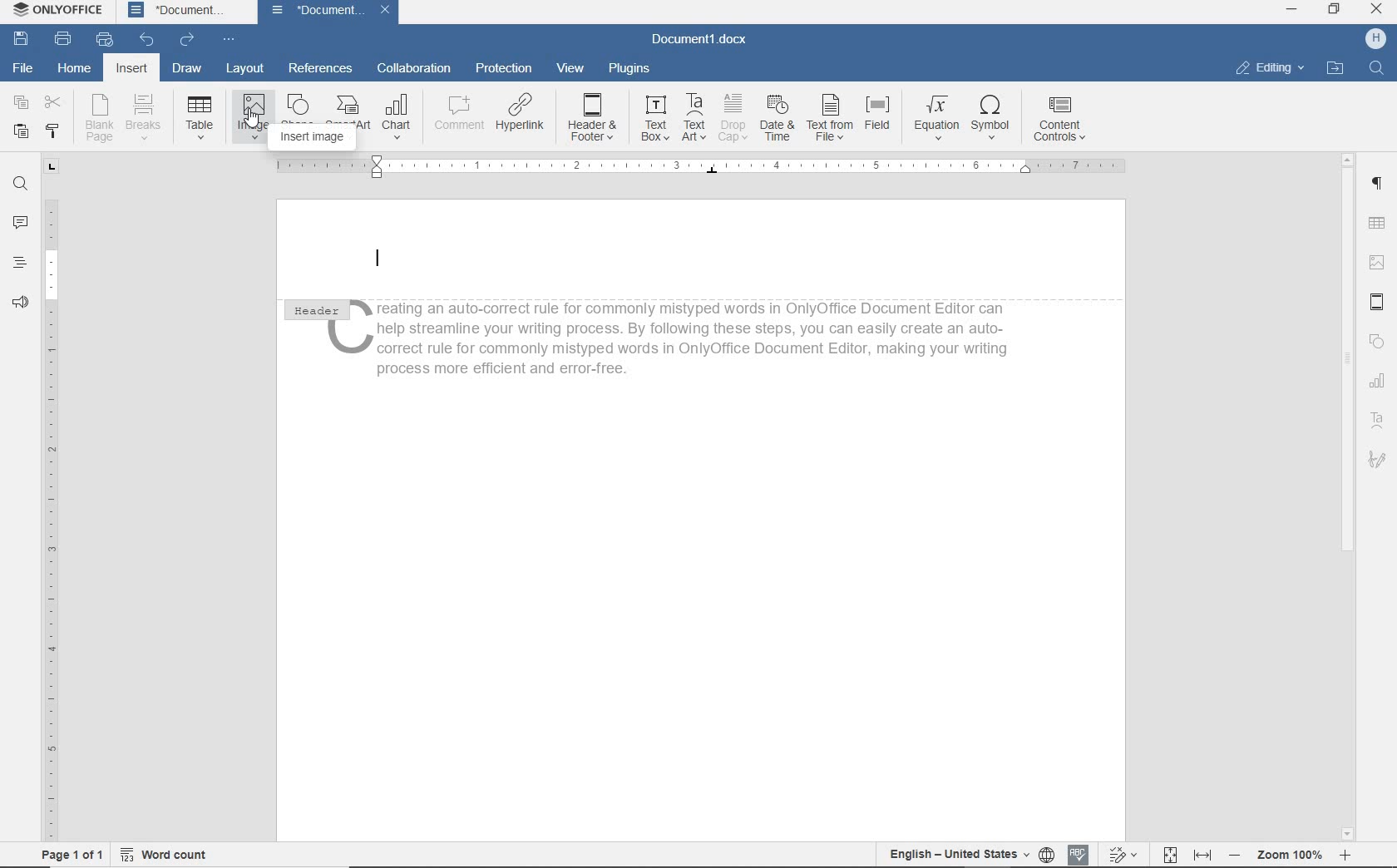 Image resolution: width=1397 pixels, height=868 pixels. Describe the element at coordinates (413, 67) in the screenshot. I see `COLLABORATION` at that location.